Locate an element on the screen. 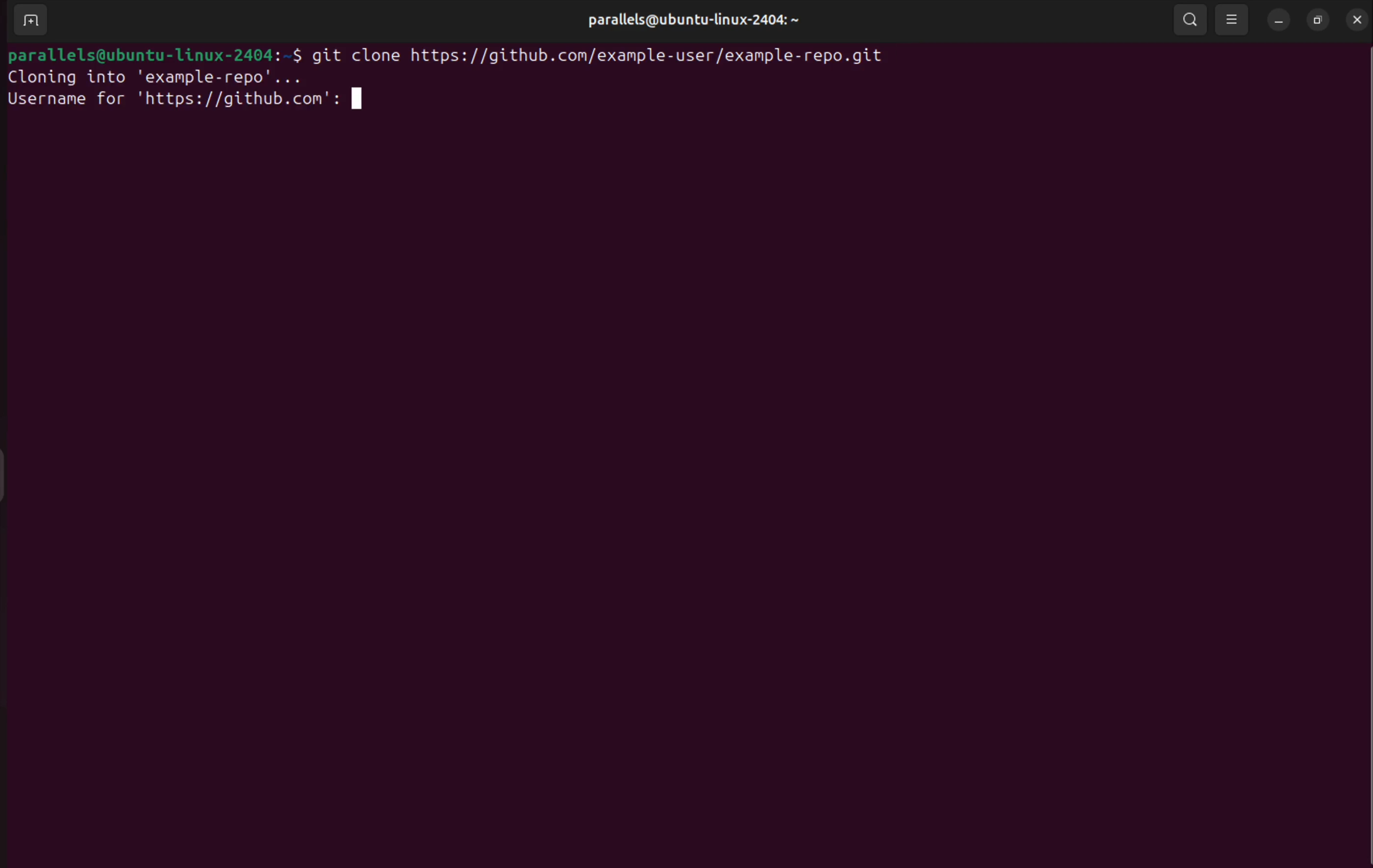 The width and height of the screenshot is (1373, 868). view point is located at coordinates (1232, 19).